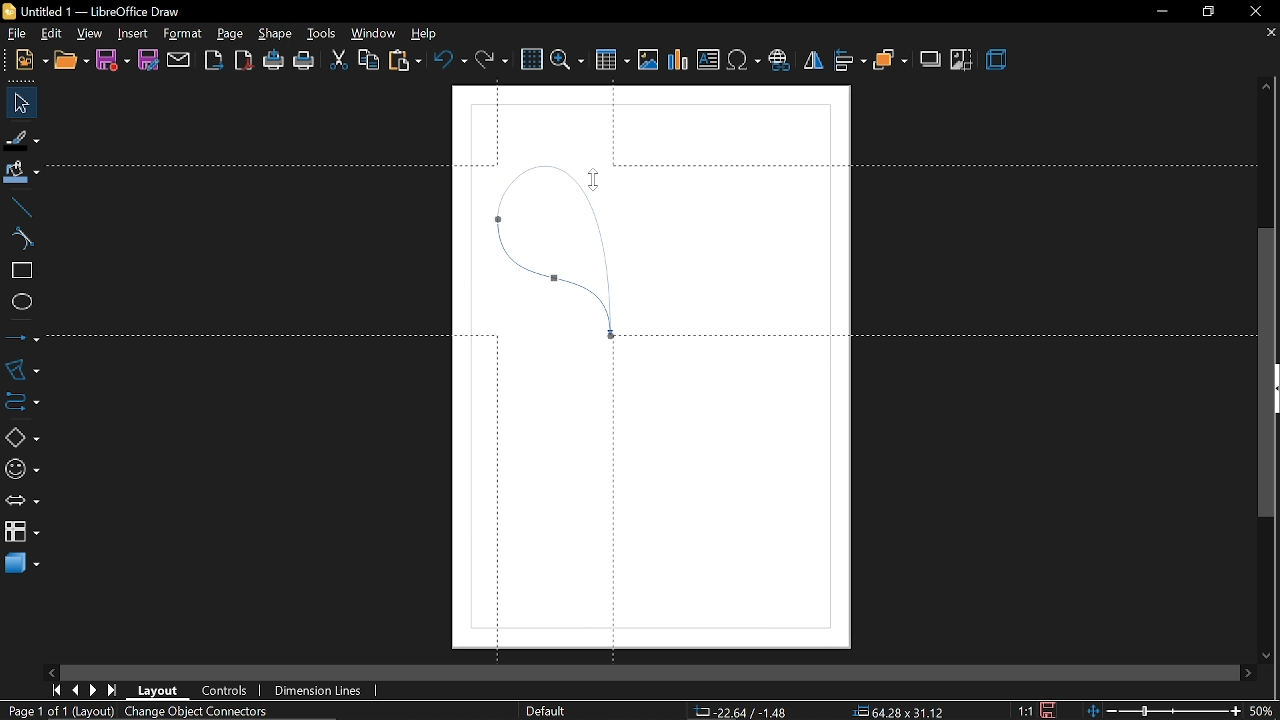 This screenshot has width=1280, height=720. Describe the element at coordinates (230, 31) in the screenshot. I see `page` at that location.